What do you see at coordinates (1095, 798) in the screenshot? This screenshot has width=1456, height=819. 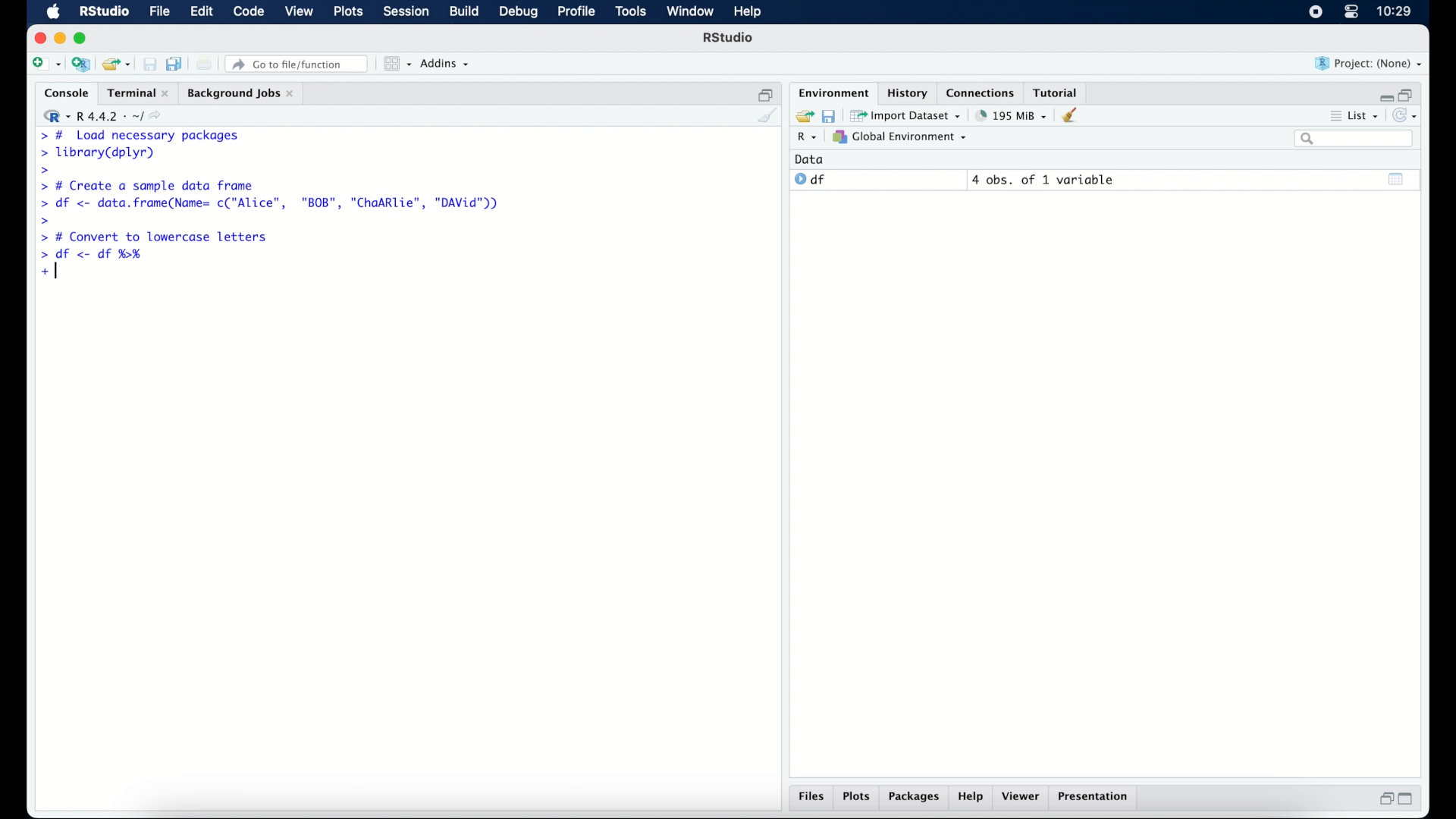 I see `presentation` at bounding box center [1095, 798].